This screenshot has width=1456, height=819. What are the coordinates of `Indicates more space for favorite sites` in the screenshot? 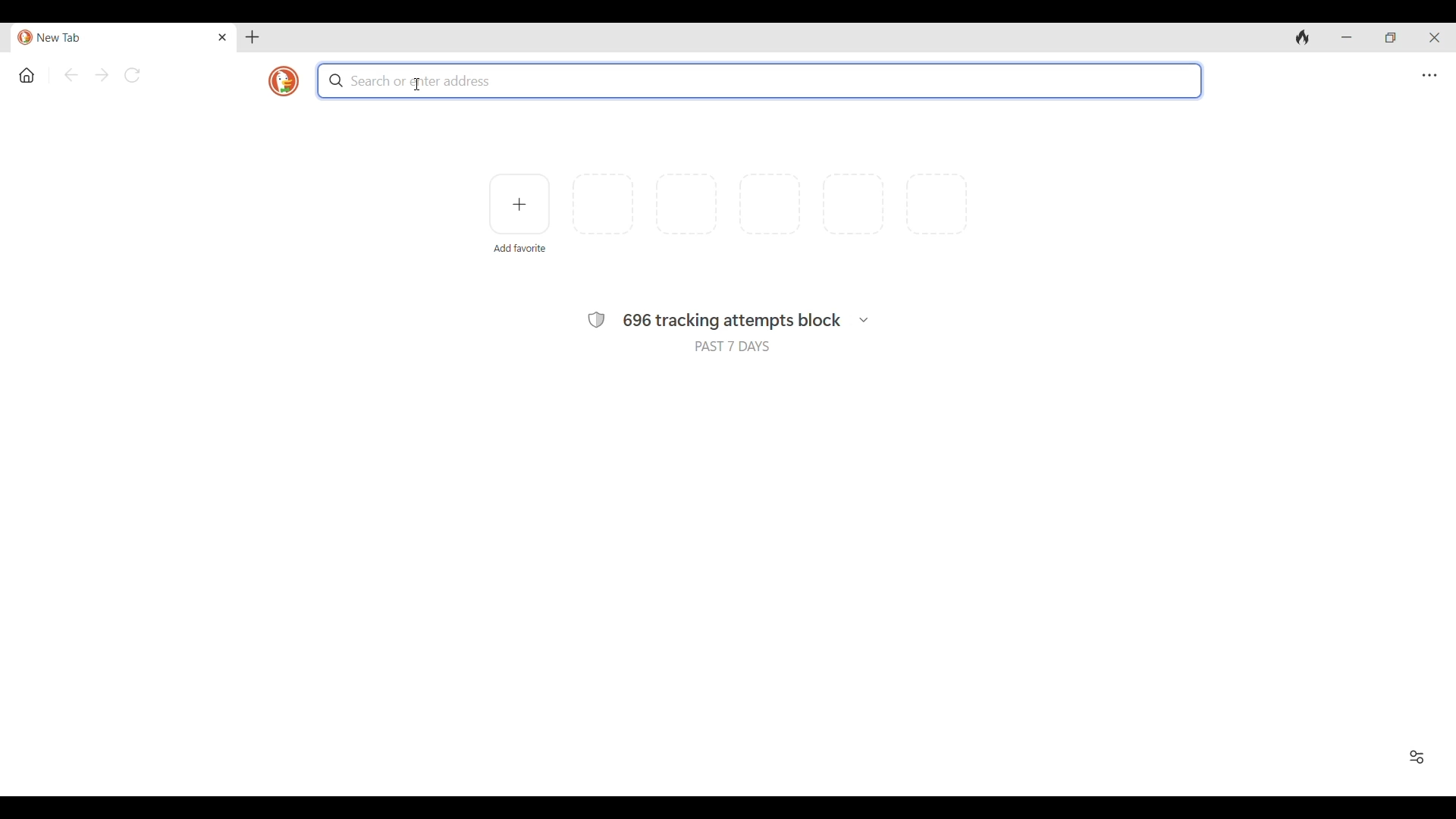 It's located at (770, 204).